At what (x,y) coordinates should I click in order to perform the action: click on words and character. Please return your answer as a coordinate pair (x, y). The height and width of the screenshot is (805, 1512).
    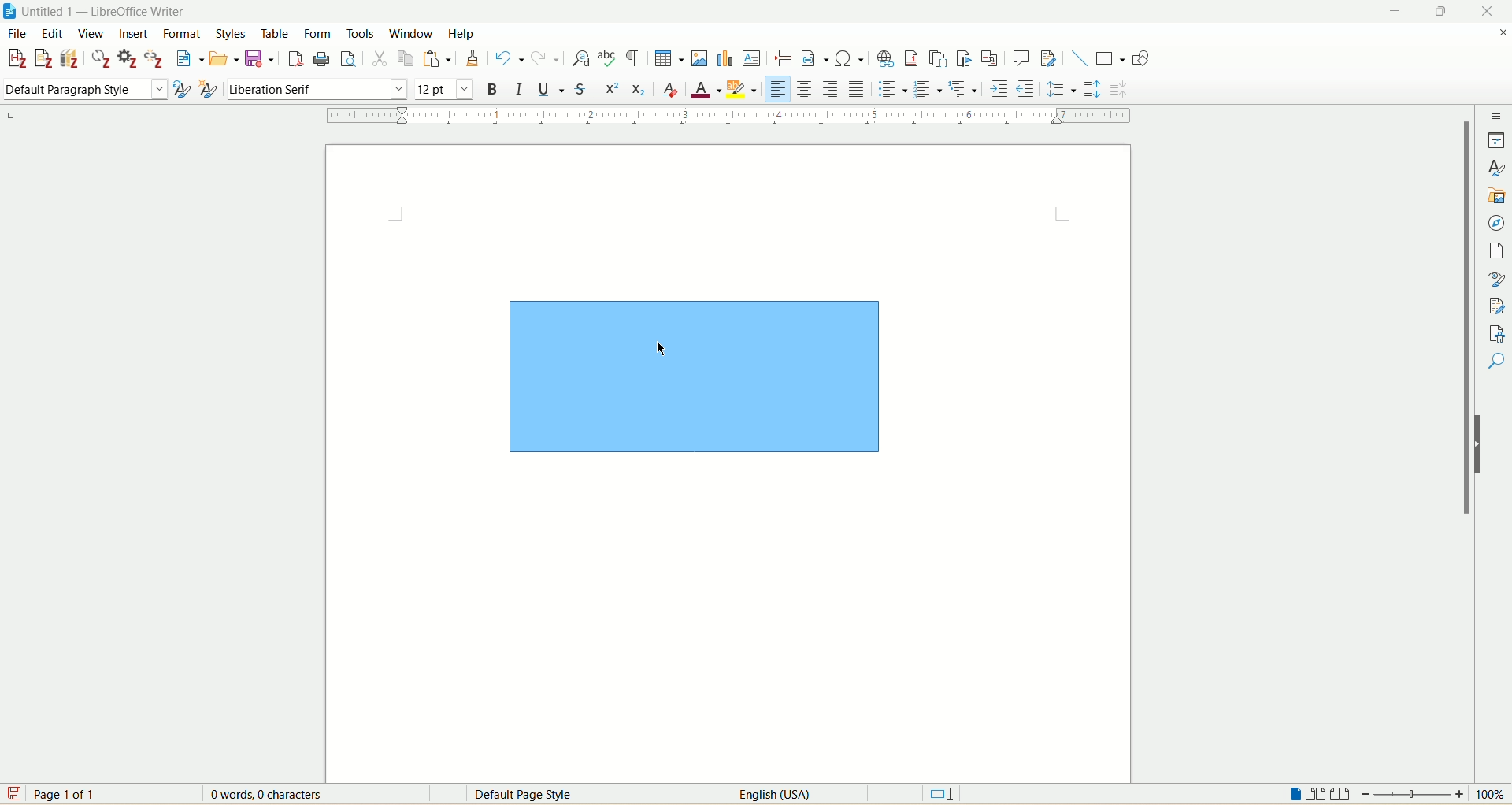
    Looking at the image, I should click on (263, 795).